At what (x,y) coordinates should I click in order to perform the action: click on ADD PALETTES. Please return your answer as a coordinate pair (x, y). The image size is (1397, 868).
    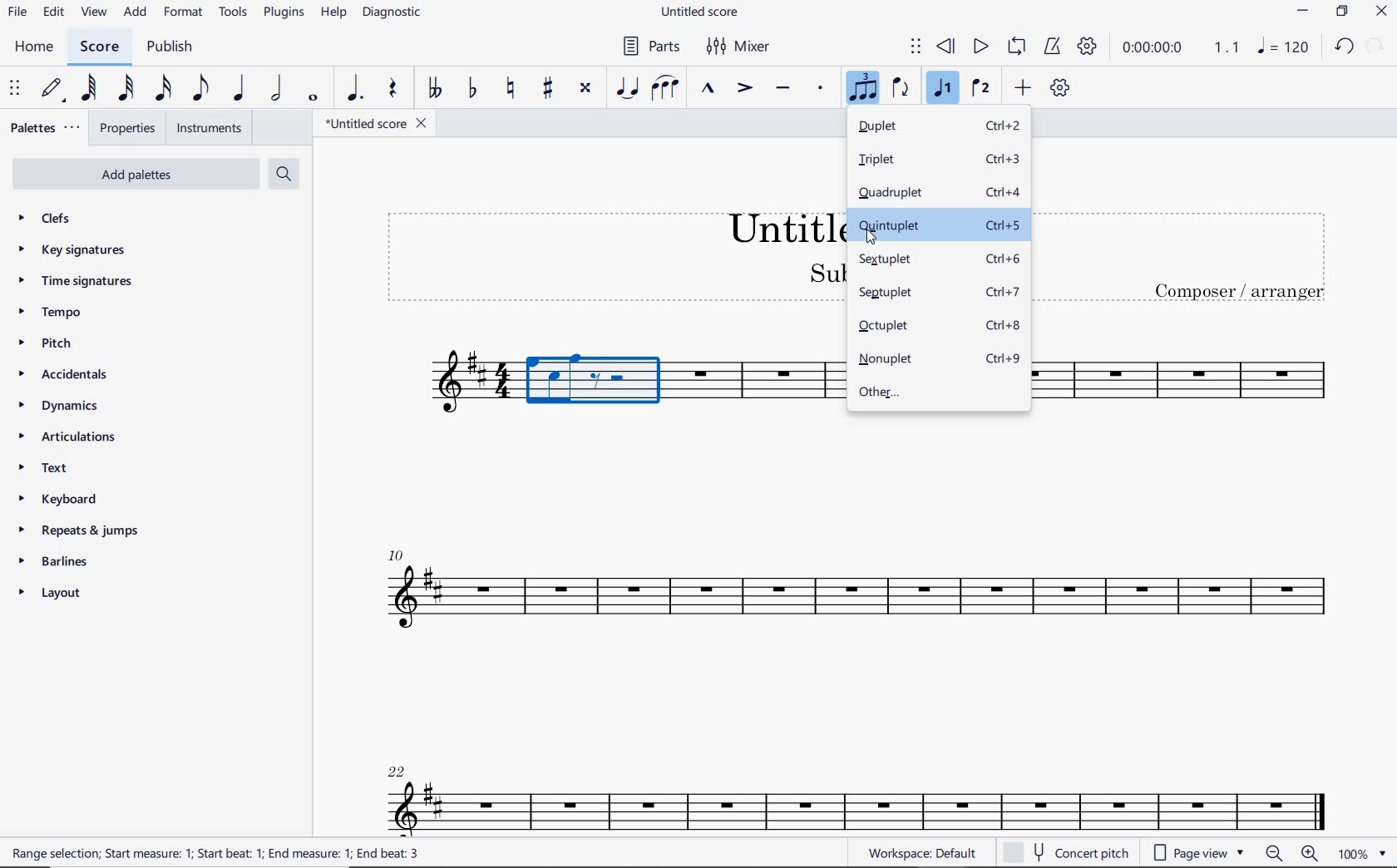
    Looking at the image, I should click on (133, 174).